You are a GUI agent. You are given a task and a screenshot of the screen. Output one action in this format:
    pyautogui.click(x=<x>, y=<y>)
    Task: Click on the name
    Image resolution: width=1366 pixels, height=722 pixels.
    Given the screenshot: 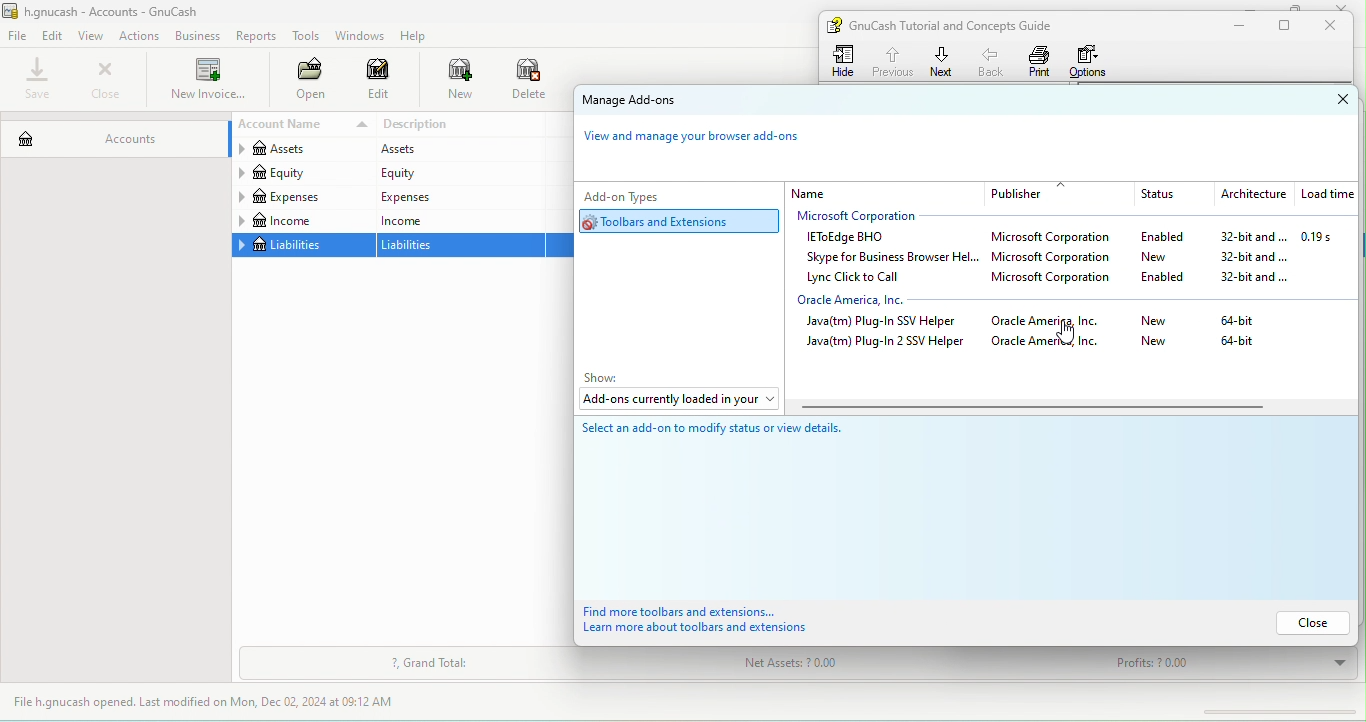 What is the action you would take?
    pyautogui.click(x=884, y=193)
    